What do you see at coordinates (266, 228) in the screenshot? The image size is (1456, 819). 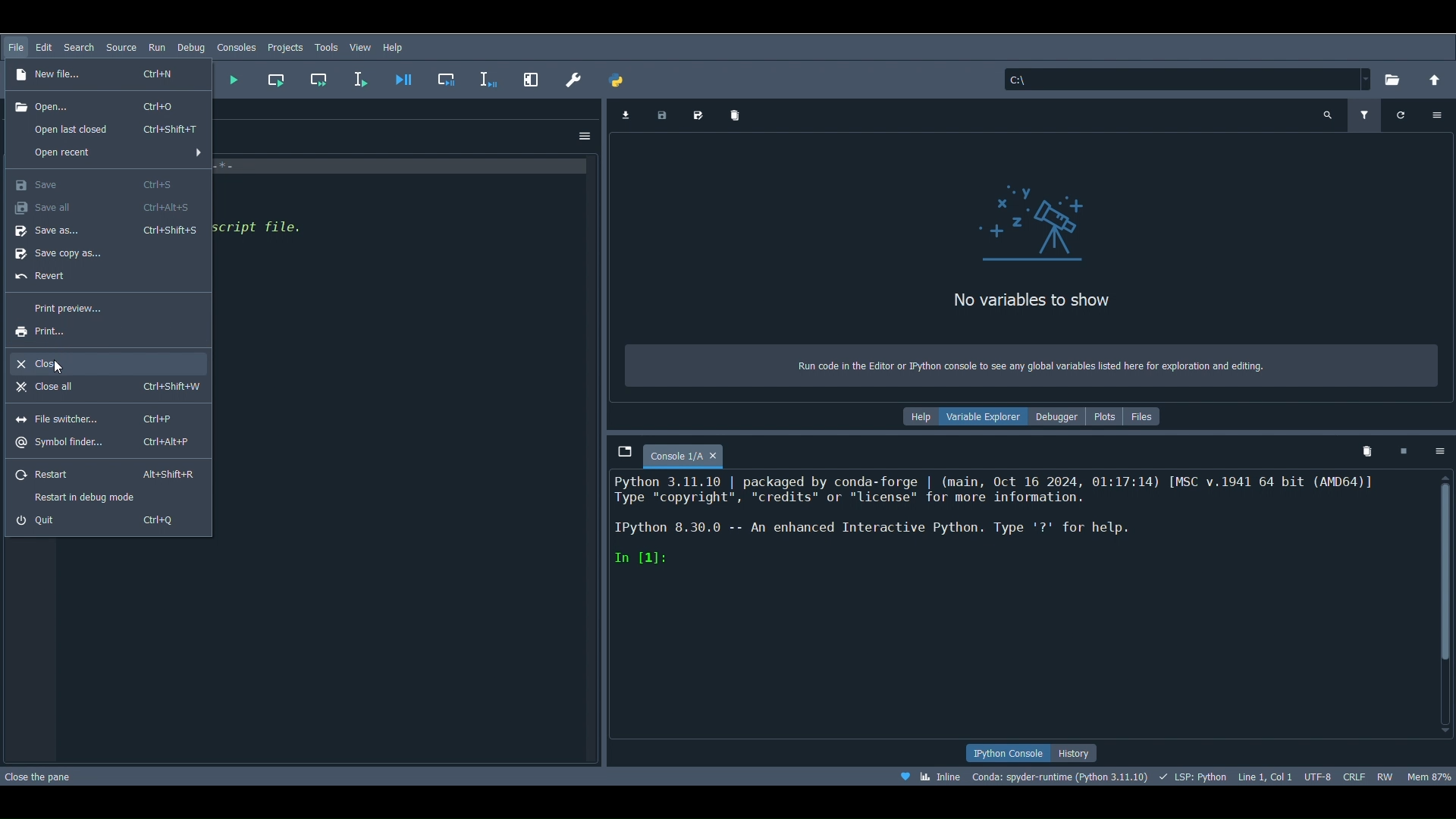 I see `code` at bounding box center [266, 228].